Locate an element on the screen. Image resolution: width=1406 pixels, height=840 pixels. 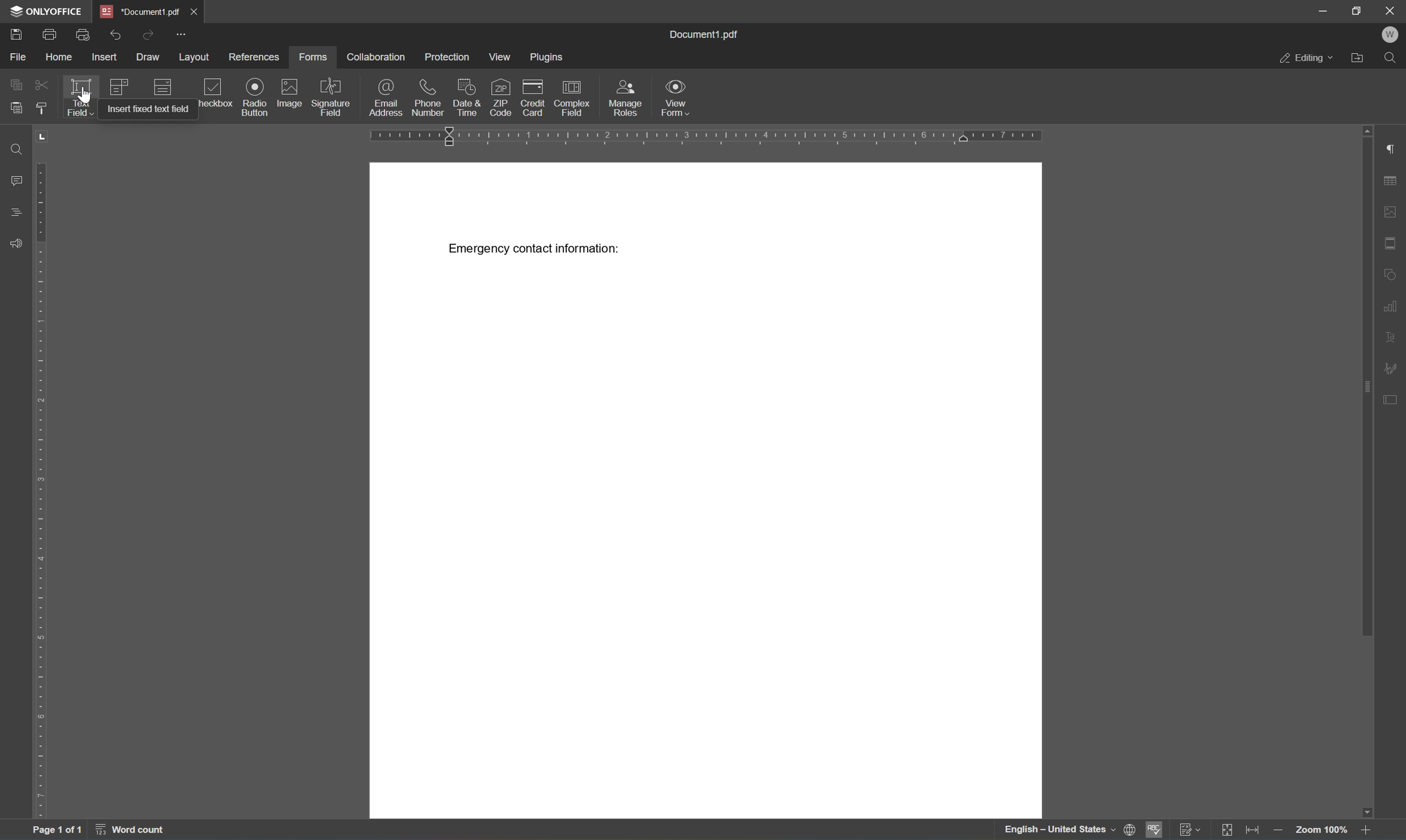
cut is located at coordinates (41, 84).